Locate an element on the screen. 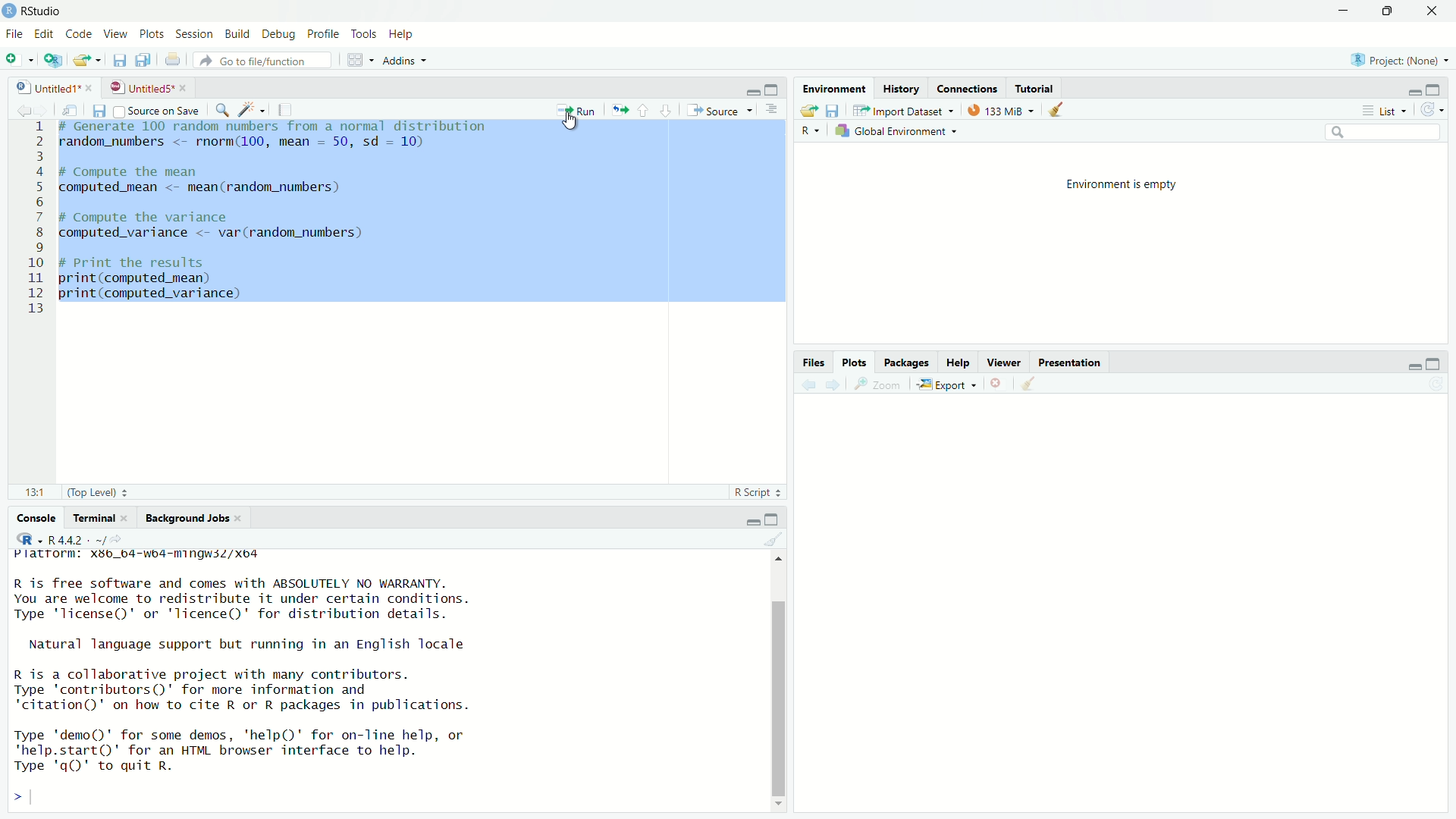 This screenshot has width=1456, height=819. run the current line or selection is located at coordinates (578, 110).